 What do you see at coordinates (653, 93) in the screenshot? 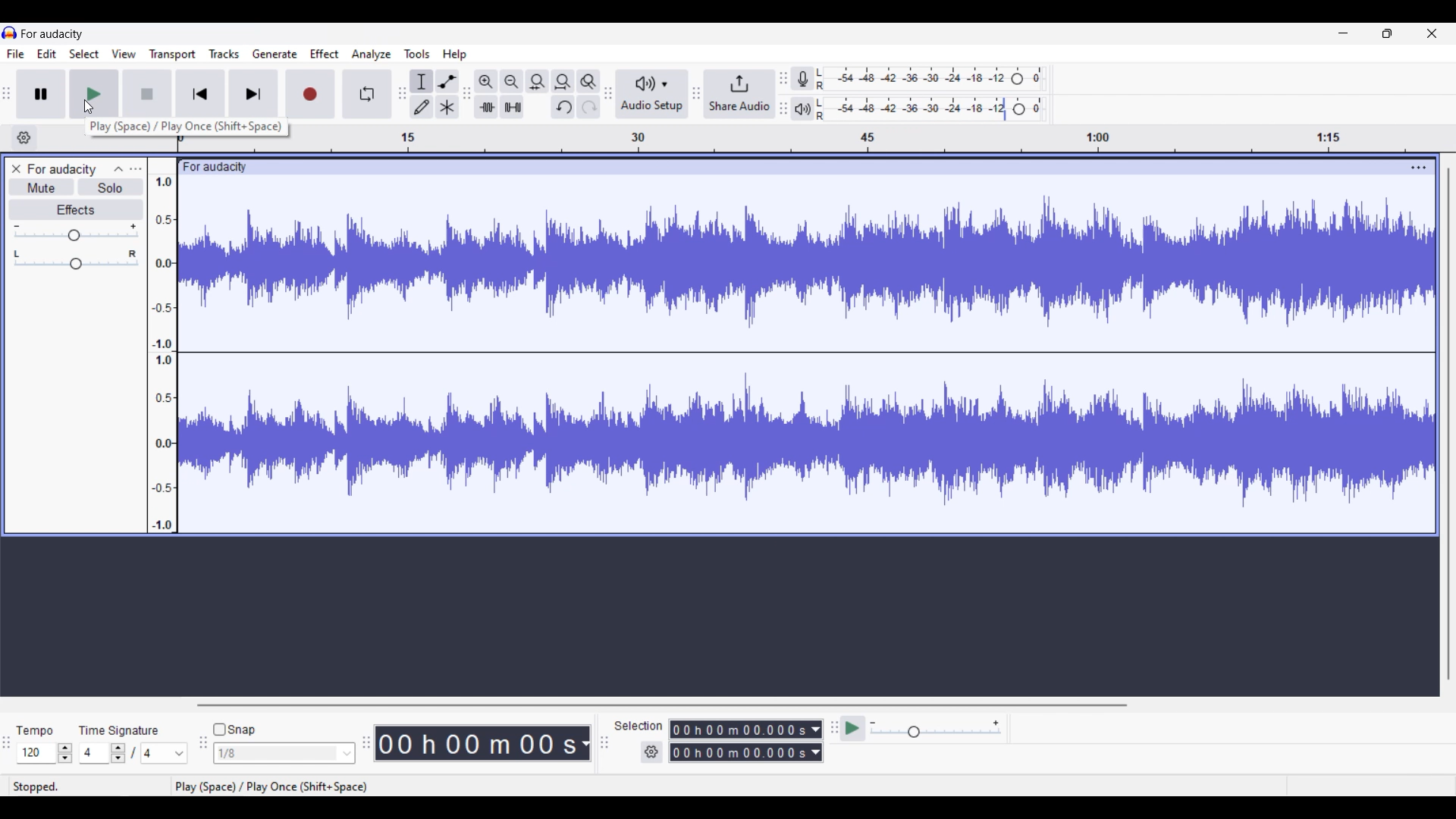
I see `Audio setup` at bounding box center [653, 93].